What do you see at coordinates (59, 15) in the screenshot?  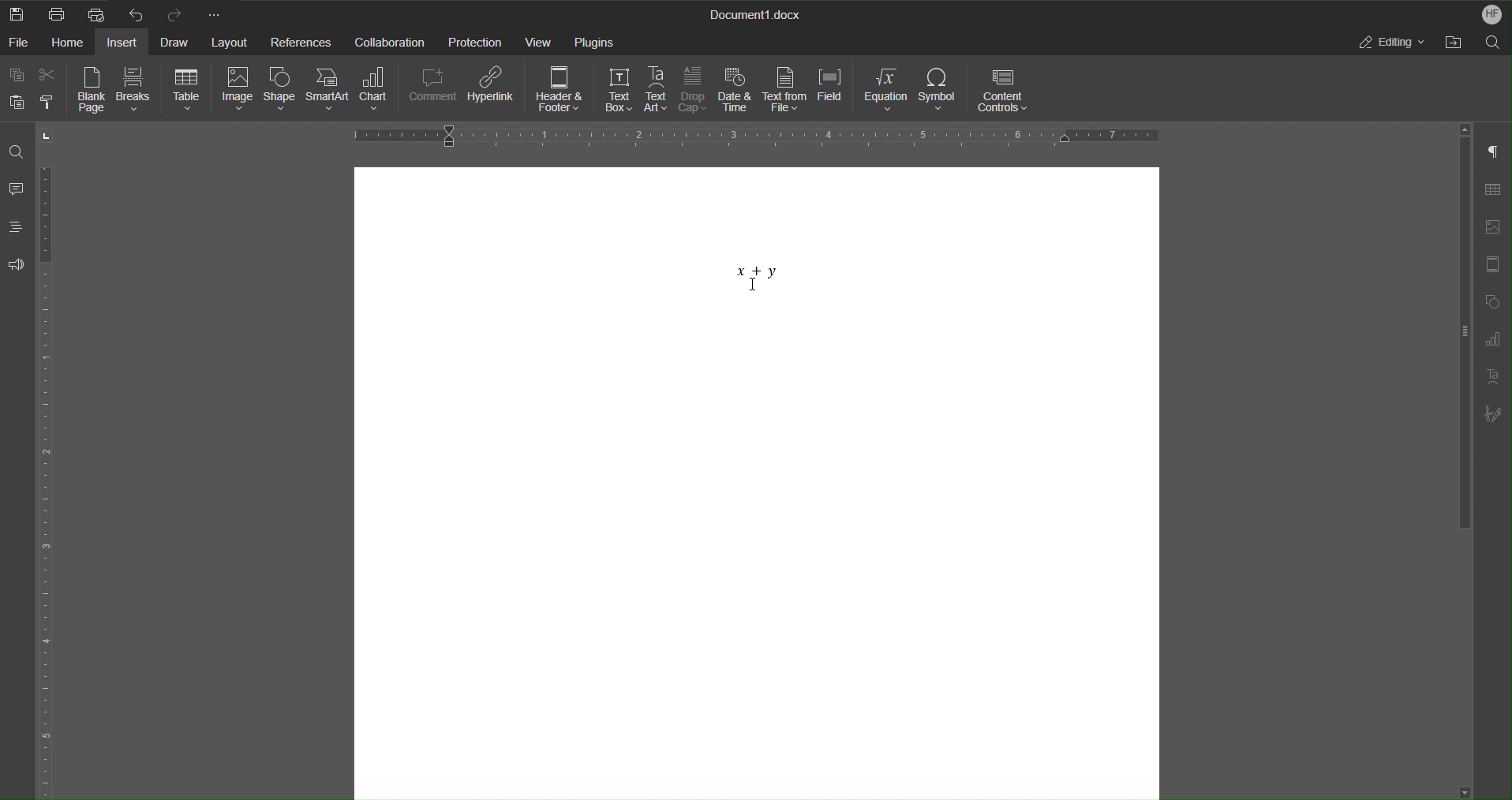 I see `Print` at bounding box center [59, 15].